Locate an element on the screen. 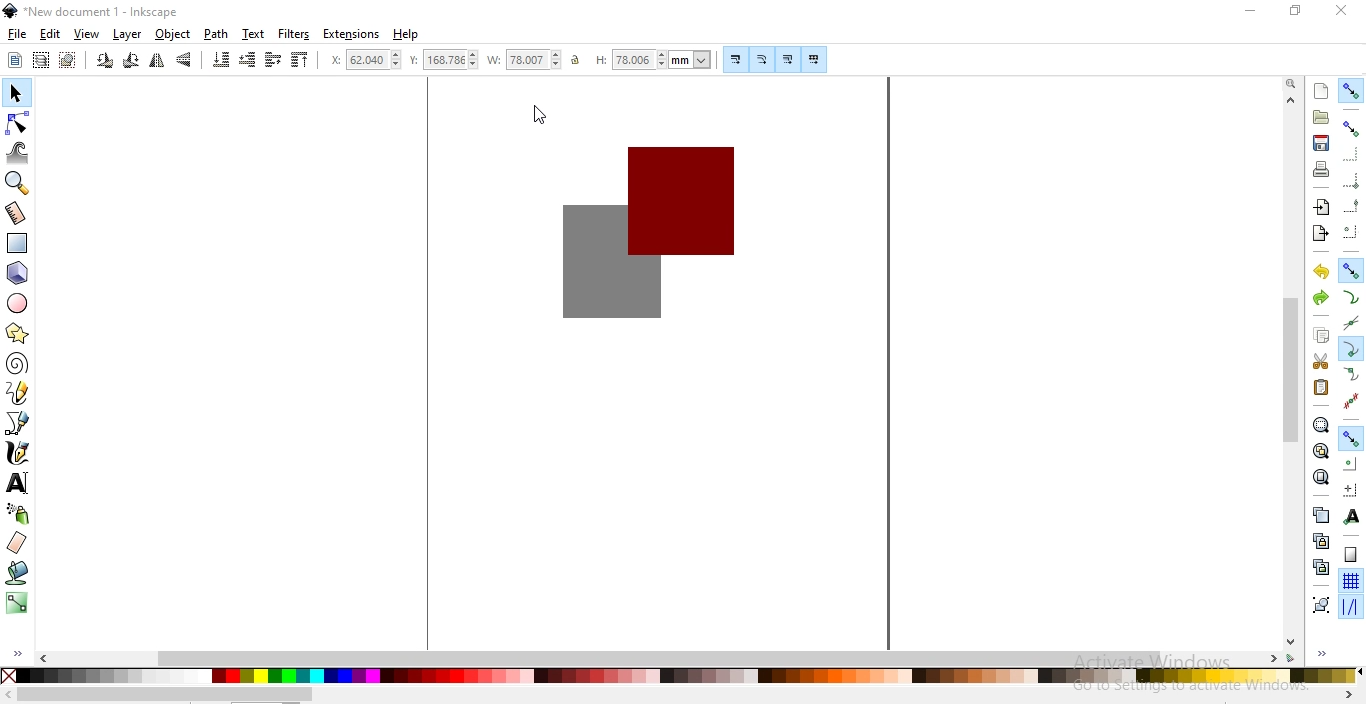 The height and width of the screenshot is (704, 1366). height of selection is located at coordinates (656, 59).